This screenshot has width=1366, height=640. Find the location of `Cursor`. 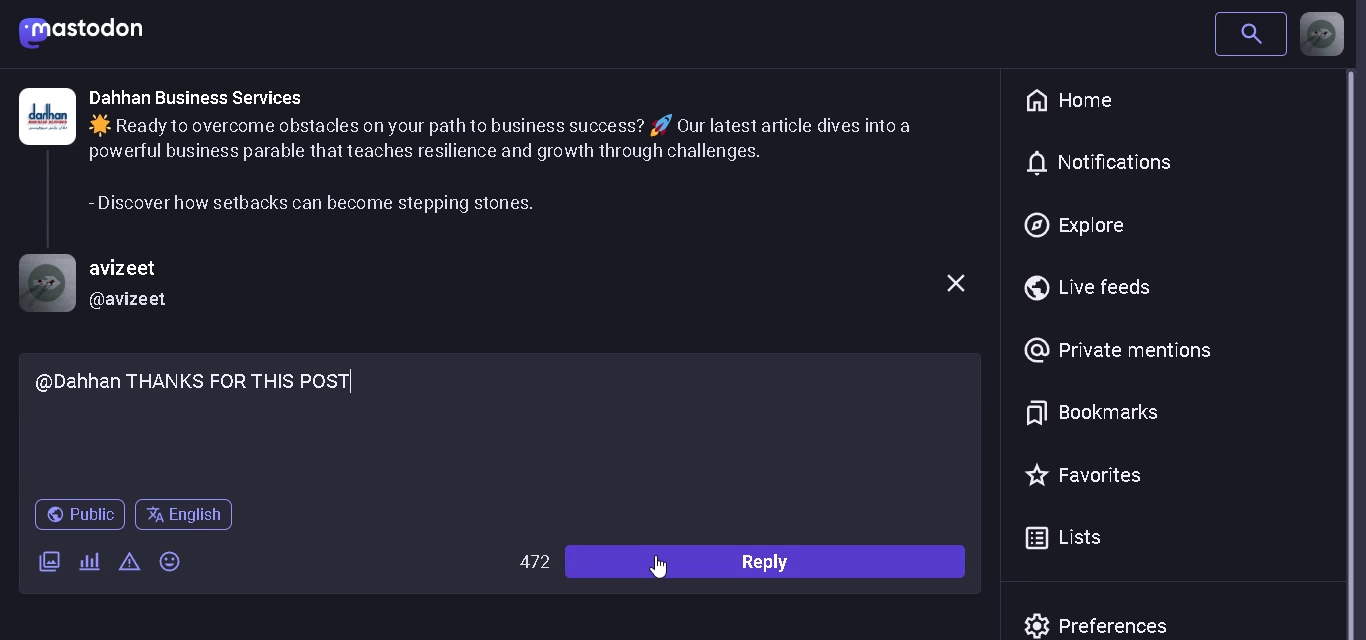

Cursor is located at coordinates (662, 573).